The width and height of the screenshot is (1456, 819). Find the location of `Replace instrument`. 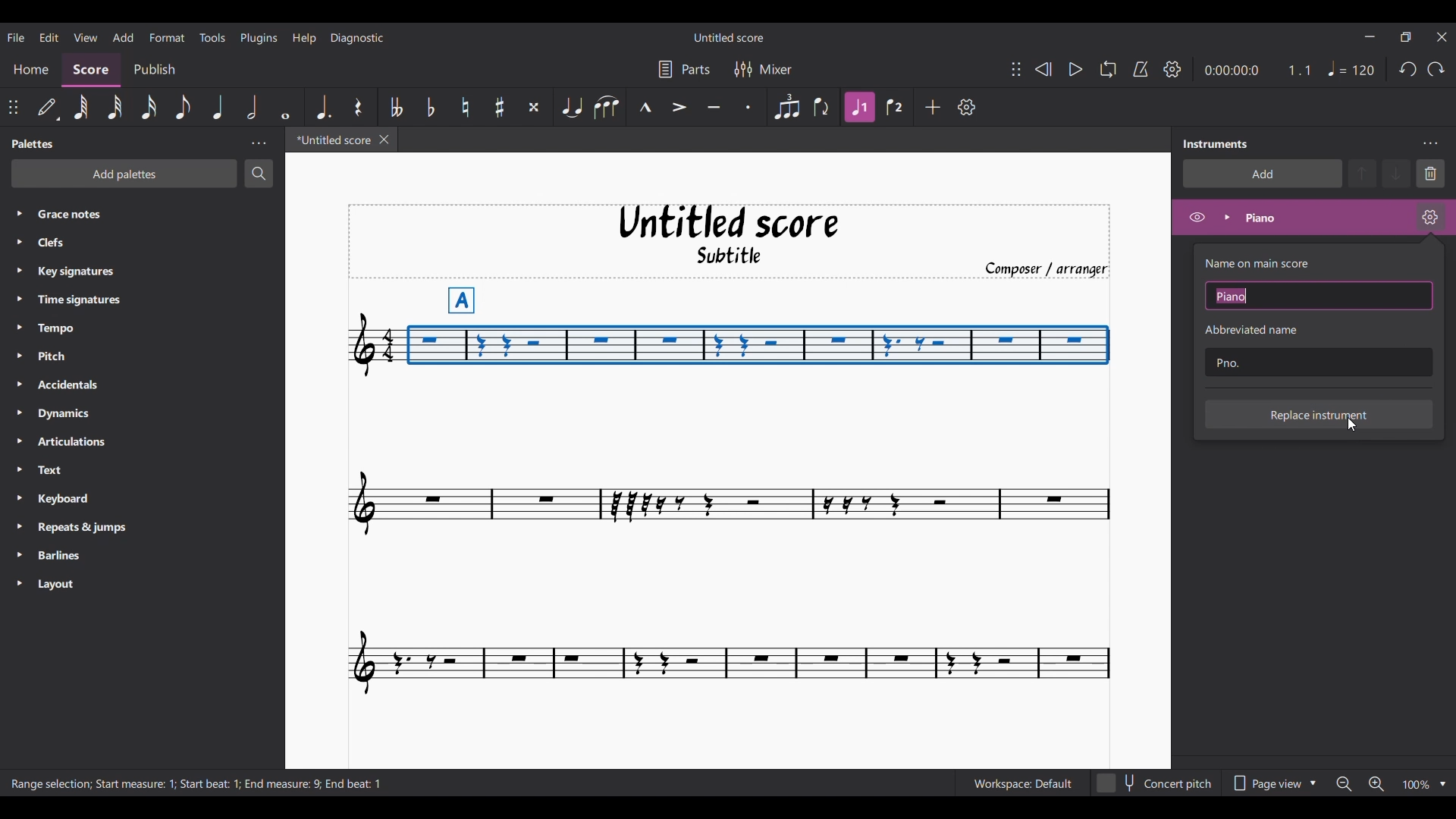

Replace instrument is located at coordinates (1319, 415).